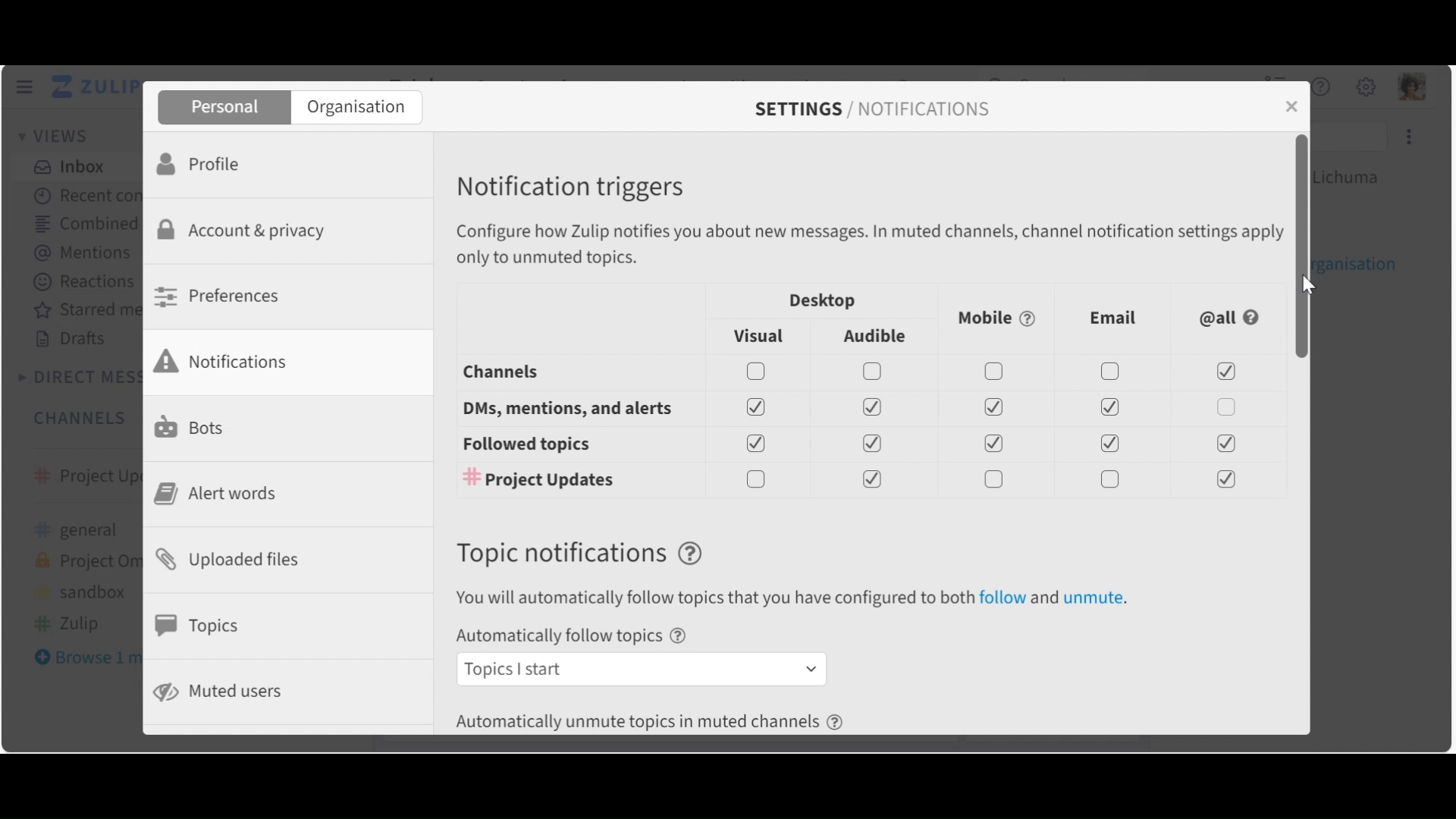 This screenshot has height=819, width=1456. I want to click on close, so click(1290, 107).